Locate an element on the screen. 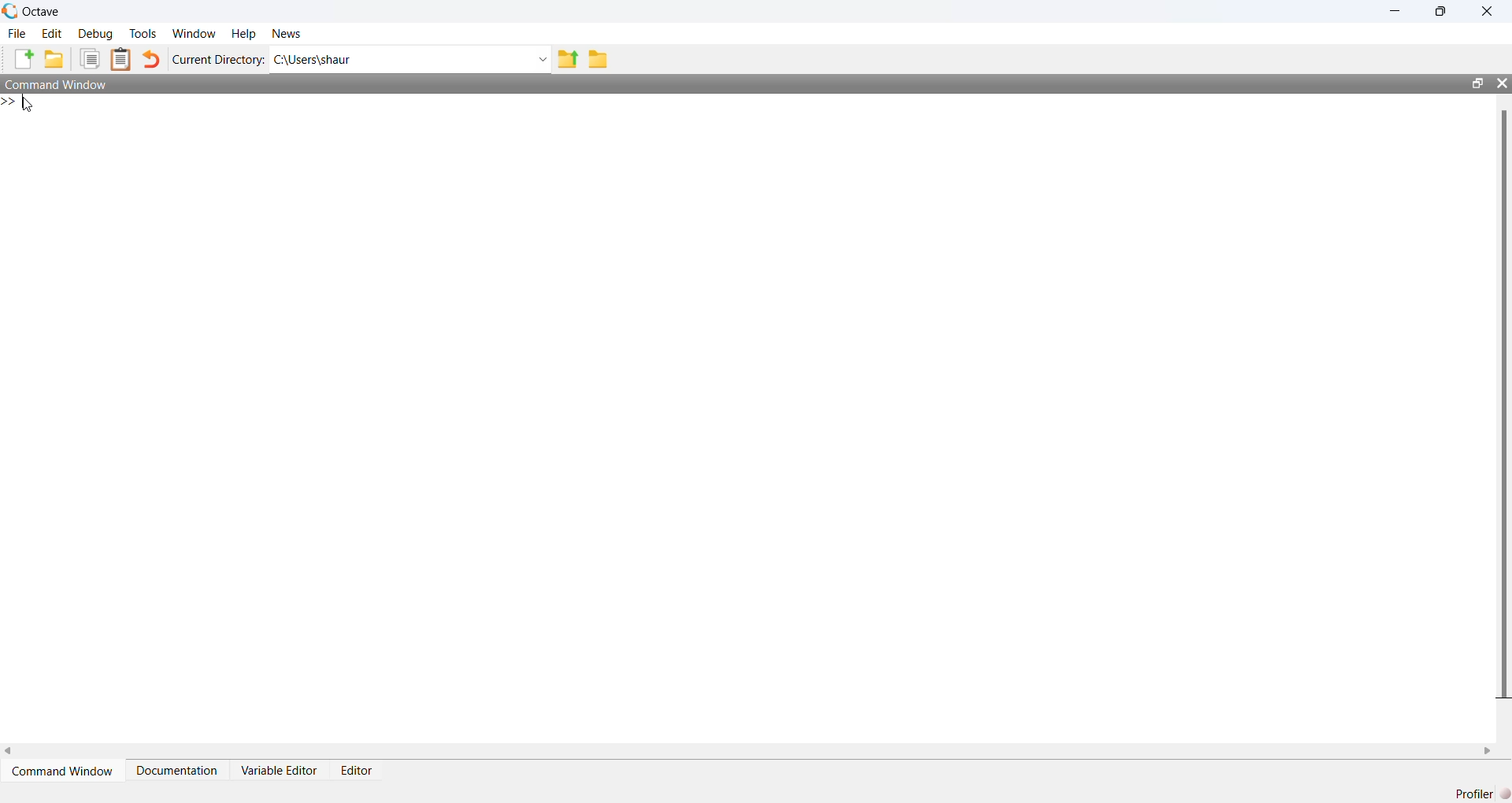  octave is located at coordinates (44, 12).